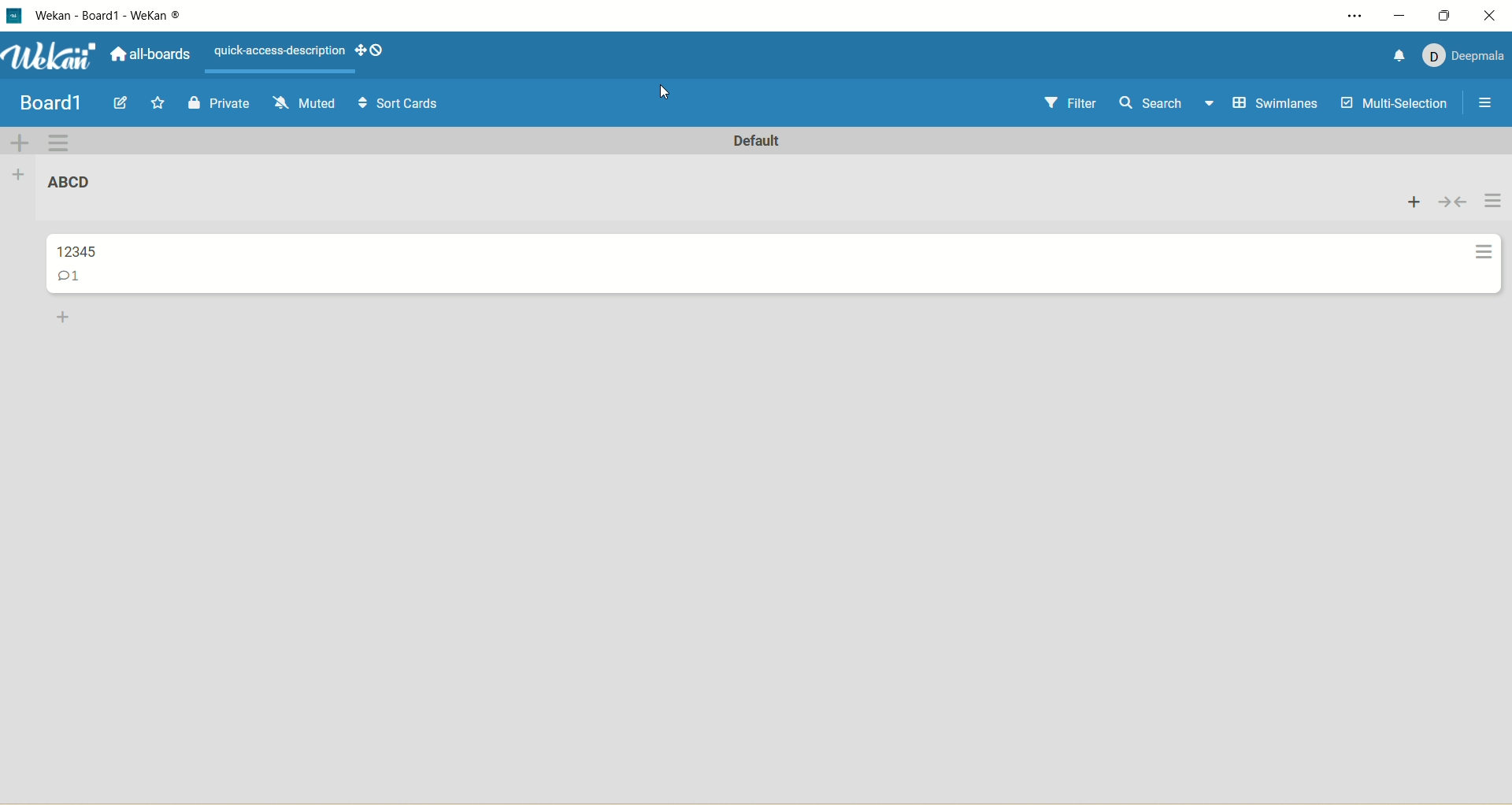 The width and height of the screenshot is (1512, 805). Describe the element at coordinates (1414, 202) in the screenshot. I see `add card` at that location.